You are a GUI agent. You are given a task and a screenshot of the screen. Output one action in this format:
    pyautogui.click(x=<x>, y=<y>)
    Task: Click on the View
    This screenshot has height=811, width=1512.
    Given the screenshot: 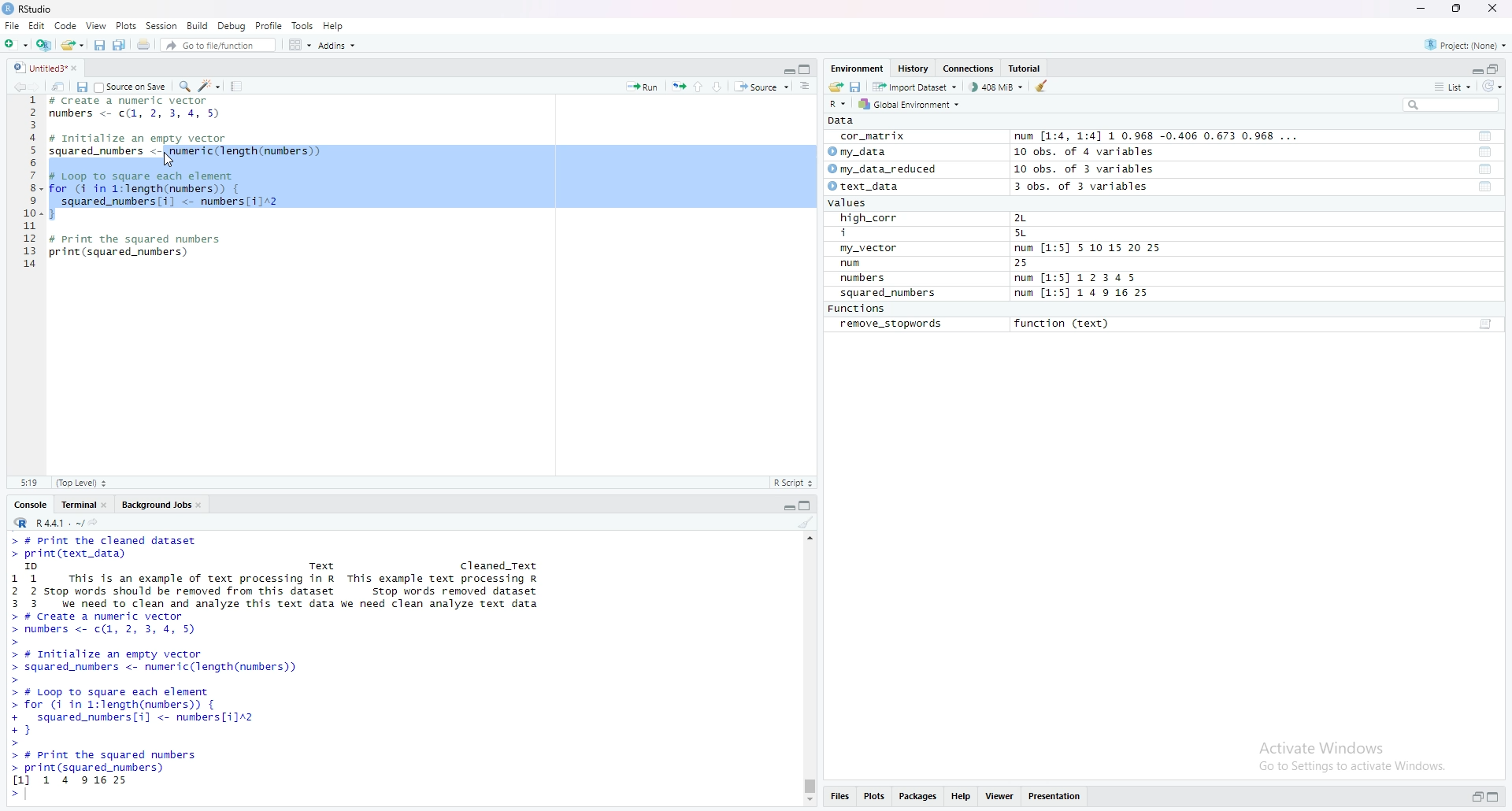 What is the action you would take?
    pyautogui.click(x=96, y=25)
    